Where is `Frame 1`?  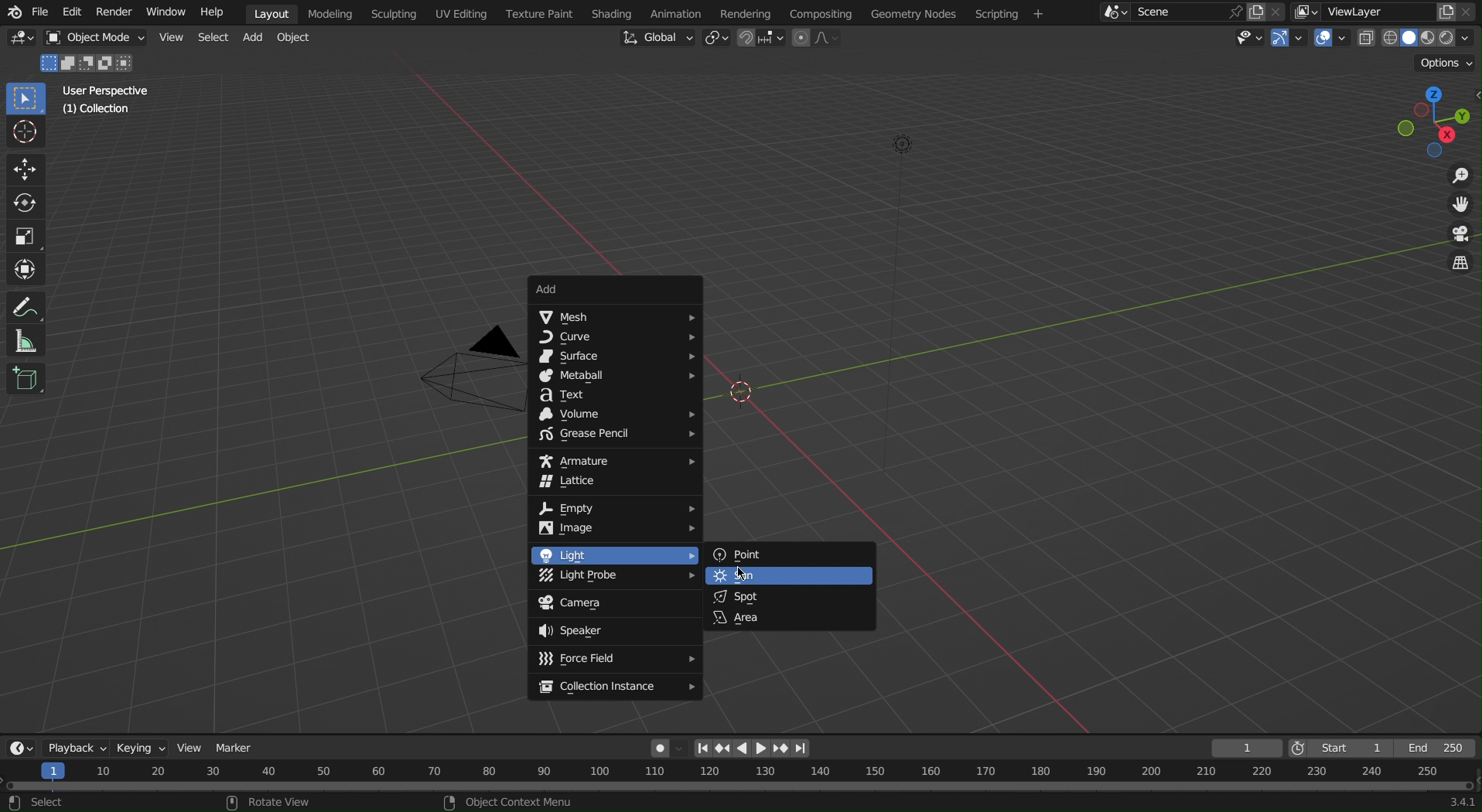 Frame 1 is located at coordinates (1248, 748).